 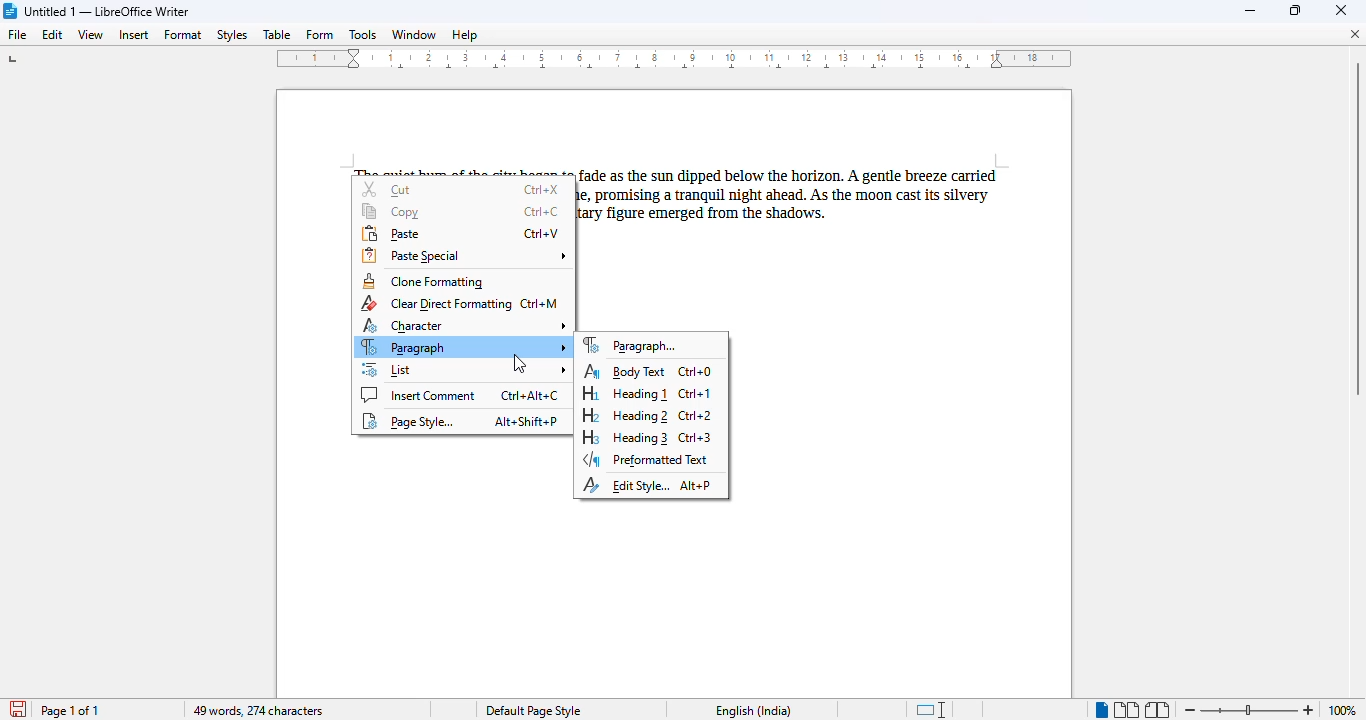 I want to click on page 1 of 1, so click(x=70, y=711).